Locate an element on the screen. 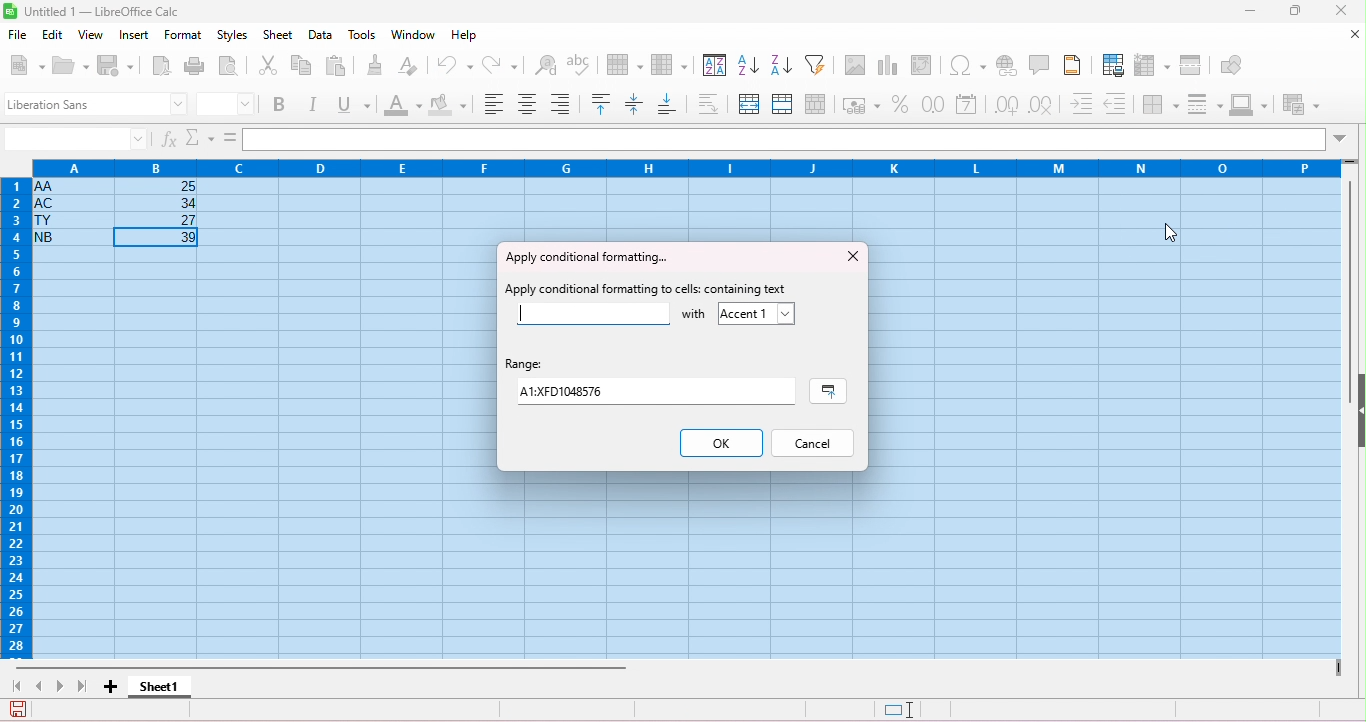  select range is located at coordinates (822, 390).